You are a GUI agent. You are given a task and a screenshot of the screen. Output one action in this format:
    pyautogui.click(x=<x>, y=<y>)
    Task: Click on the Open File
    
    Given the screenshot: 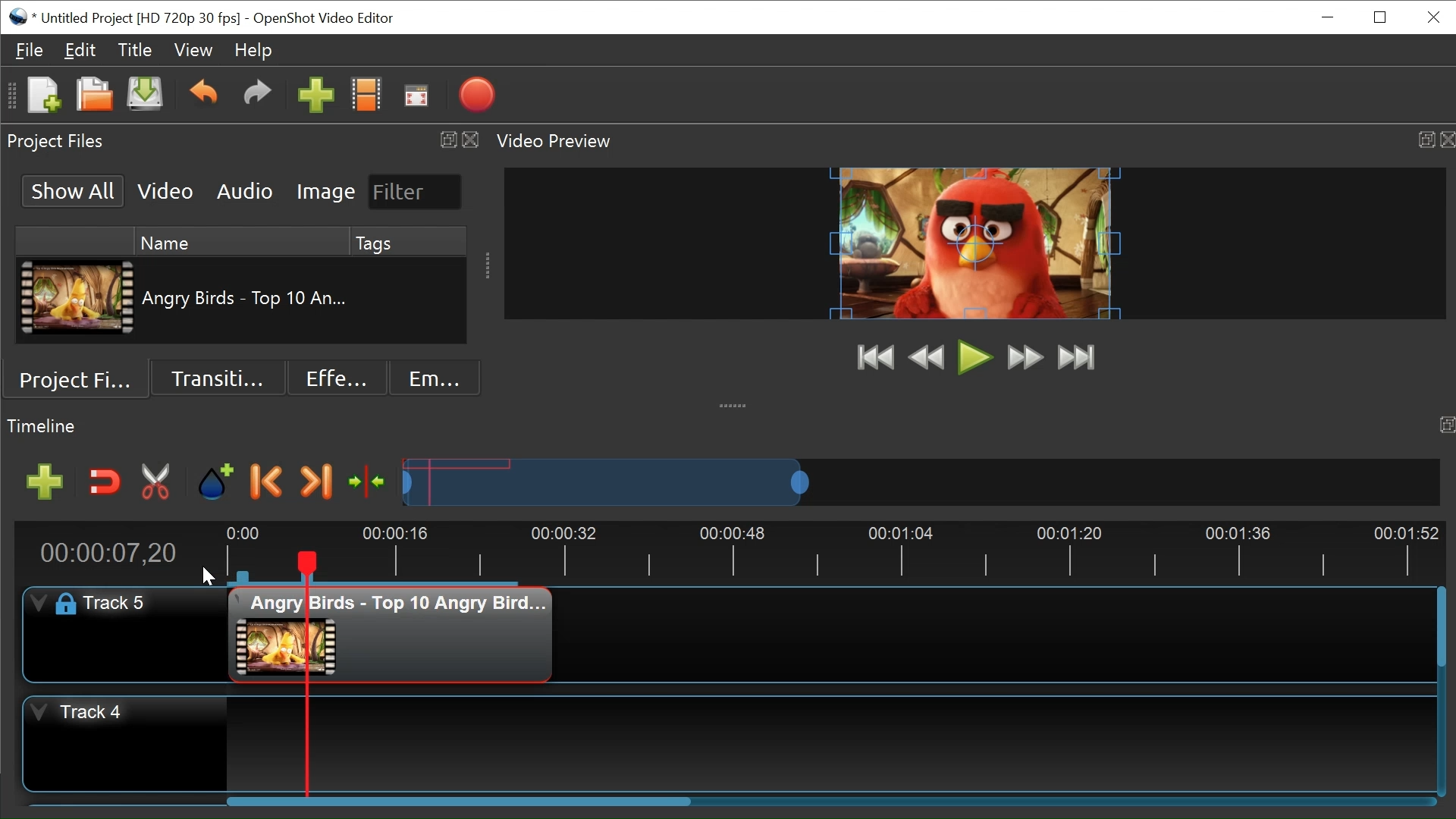 What is the action you would take?
    pyautogui.click(x=94, y=96)
    